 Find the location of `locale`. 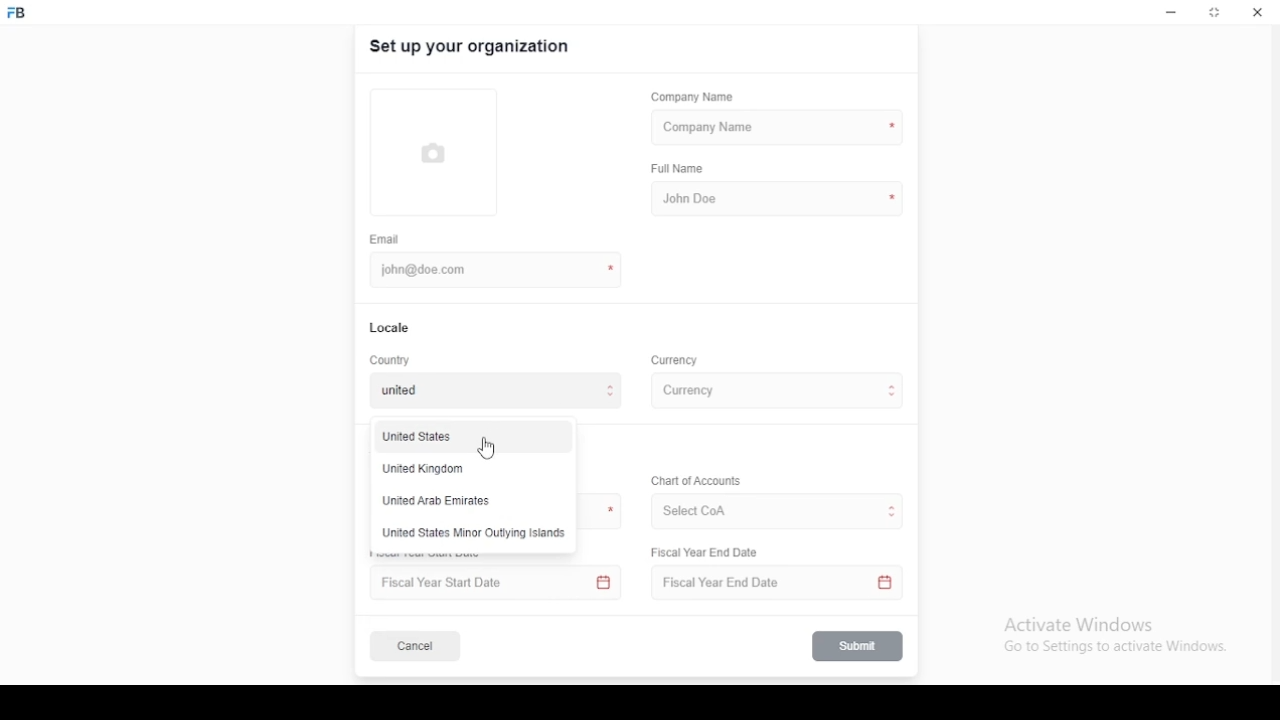

locale is located at coordinates (391, 328).